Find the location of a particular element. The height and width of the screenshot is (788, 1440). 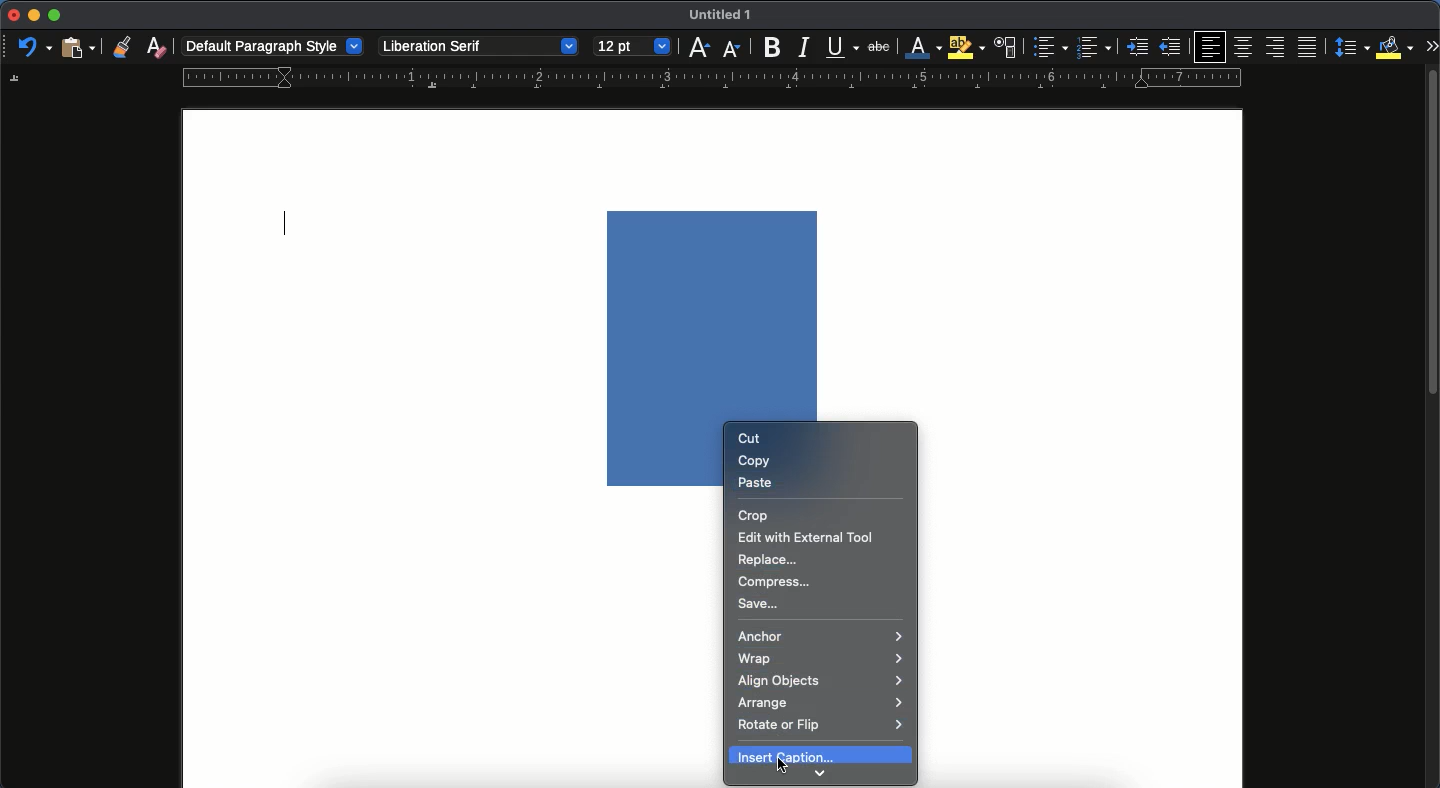

scroll is located at coordinates (1431, 425).